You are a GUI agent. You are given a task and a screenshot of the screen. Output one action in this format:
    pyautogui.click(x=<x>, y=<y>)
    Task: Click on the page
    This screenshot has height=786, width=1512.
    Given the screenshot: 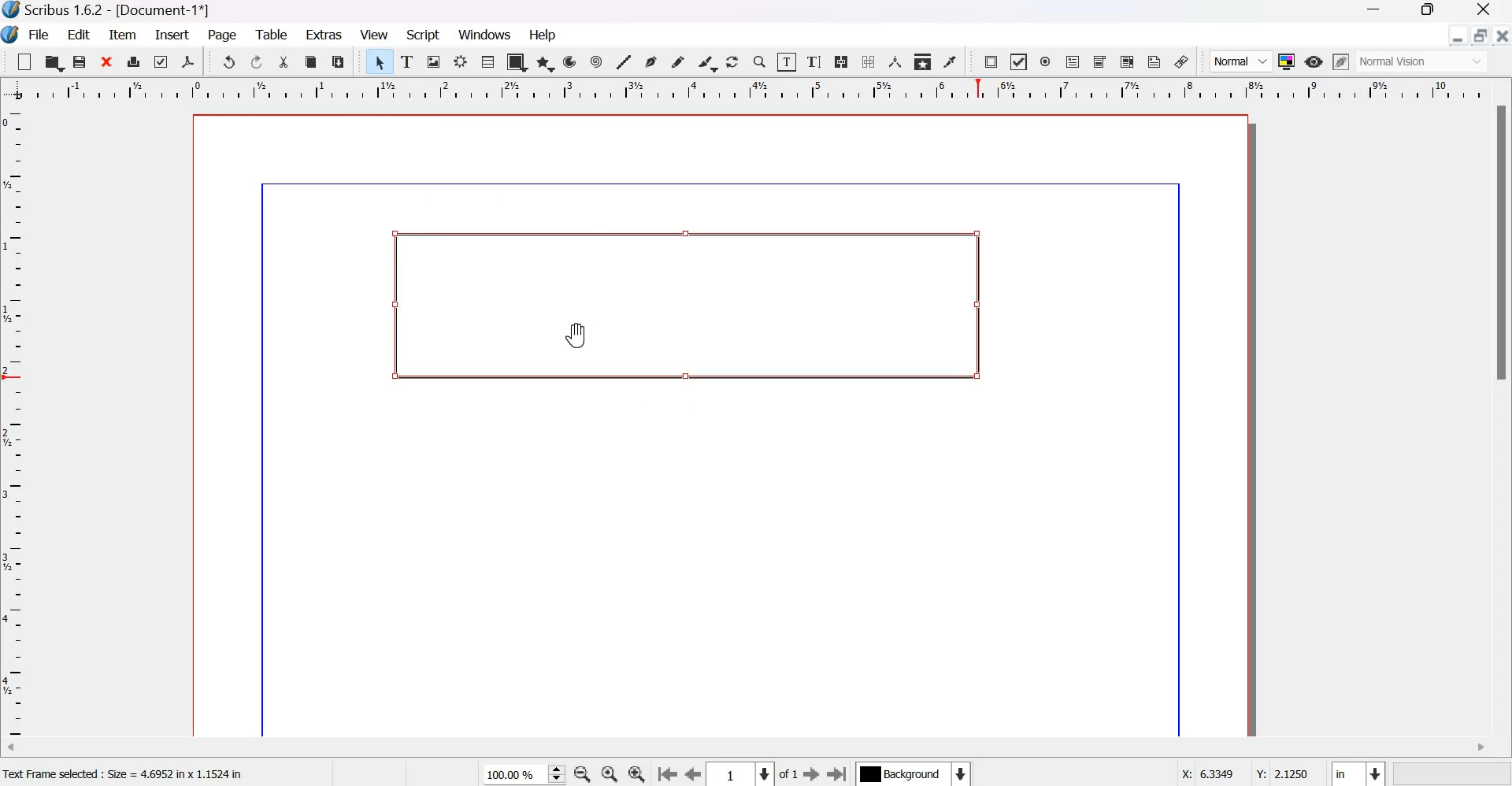 What is the action you would take?
    pyautogui.click(x=224, y=36)
    